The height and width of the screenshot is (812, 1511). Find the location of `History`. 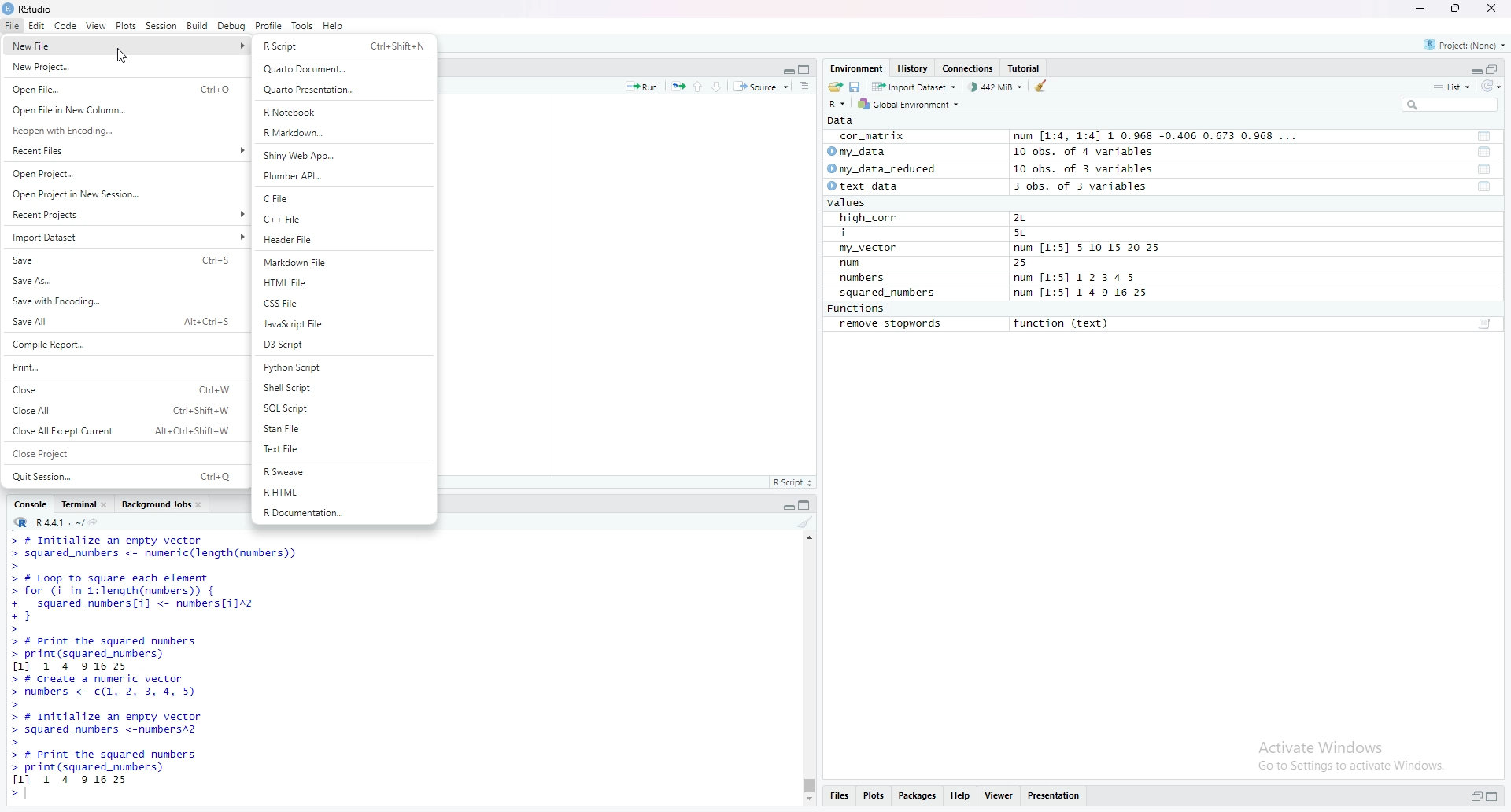

History is located at coordinates (914, 68).